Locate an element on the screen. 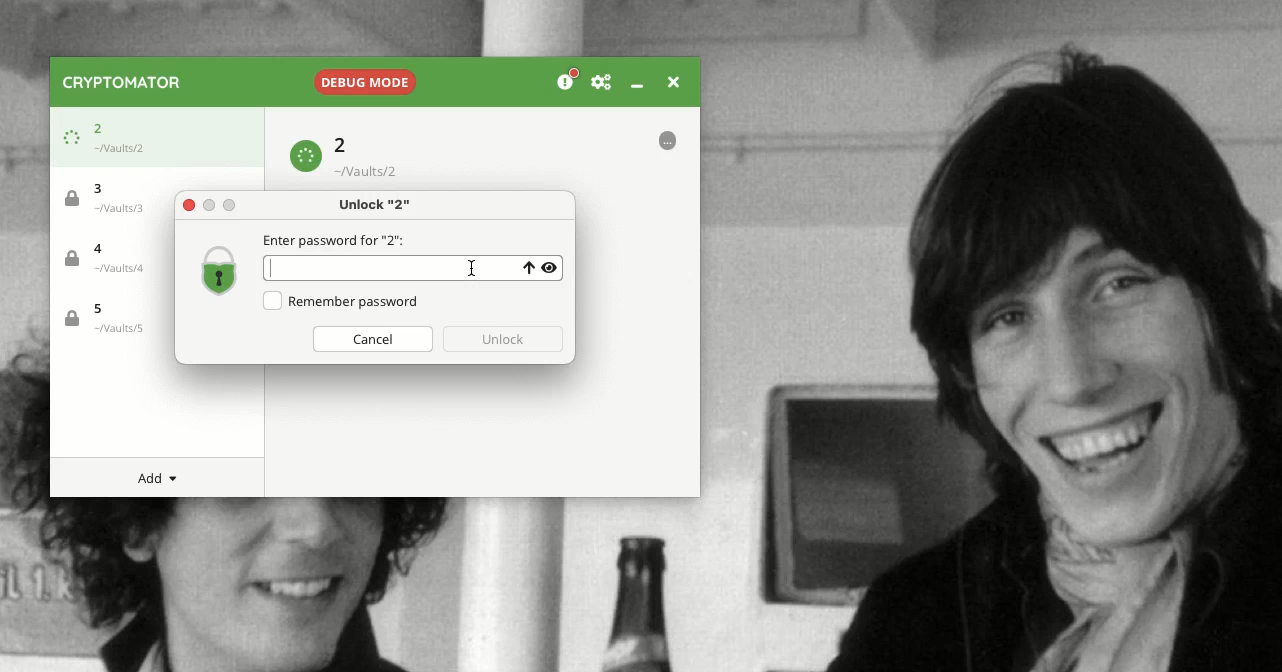 Image resolution: width=1282 pixels, height=672 pixels. minimize is located at coordinates (211, 206).